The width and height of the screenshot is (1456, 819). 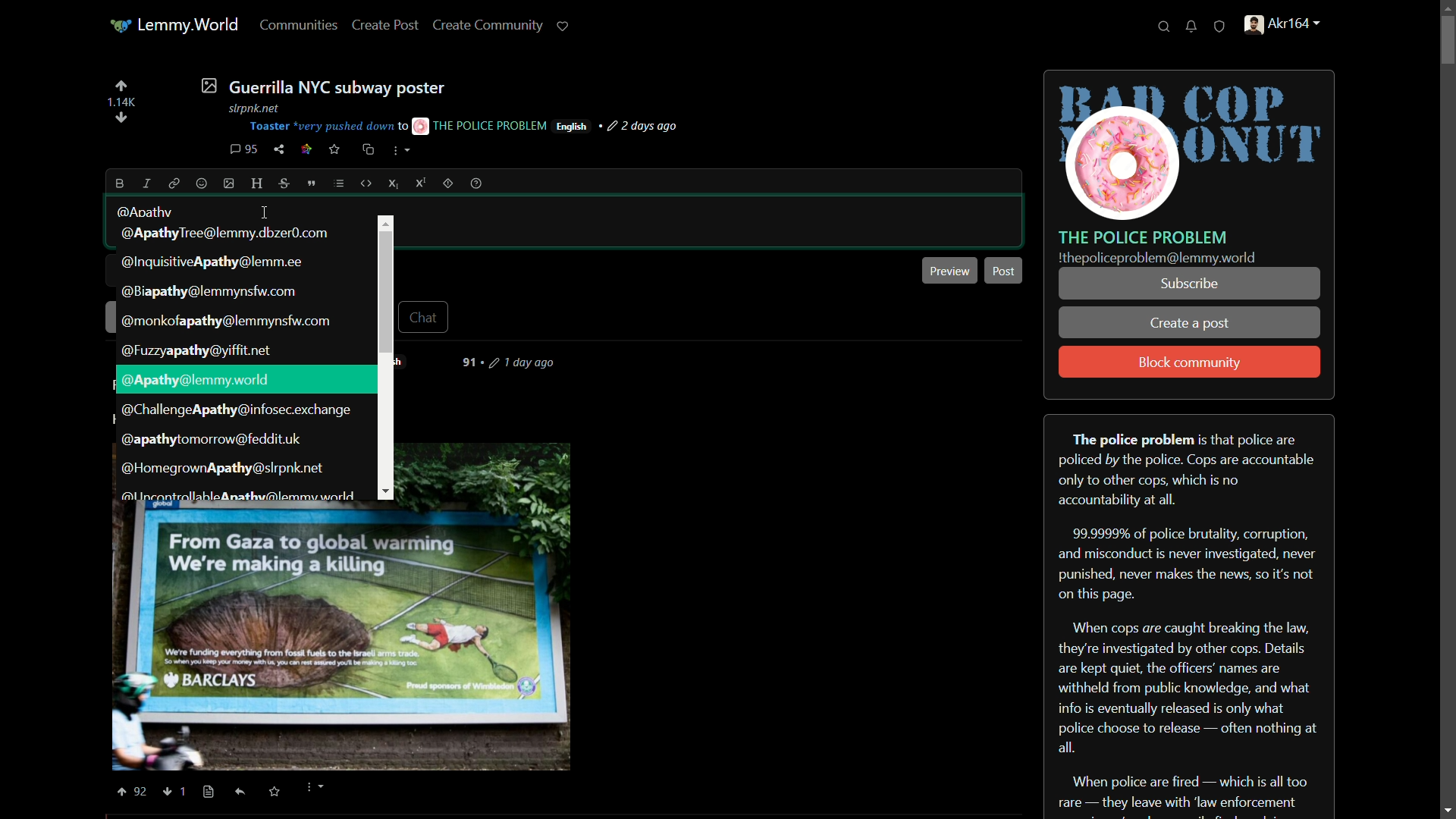 I want to click on cross-post, so click(x=367, y=149).